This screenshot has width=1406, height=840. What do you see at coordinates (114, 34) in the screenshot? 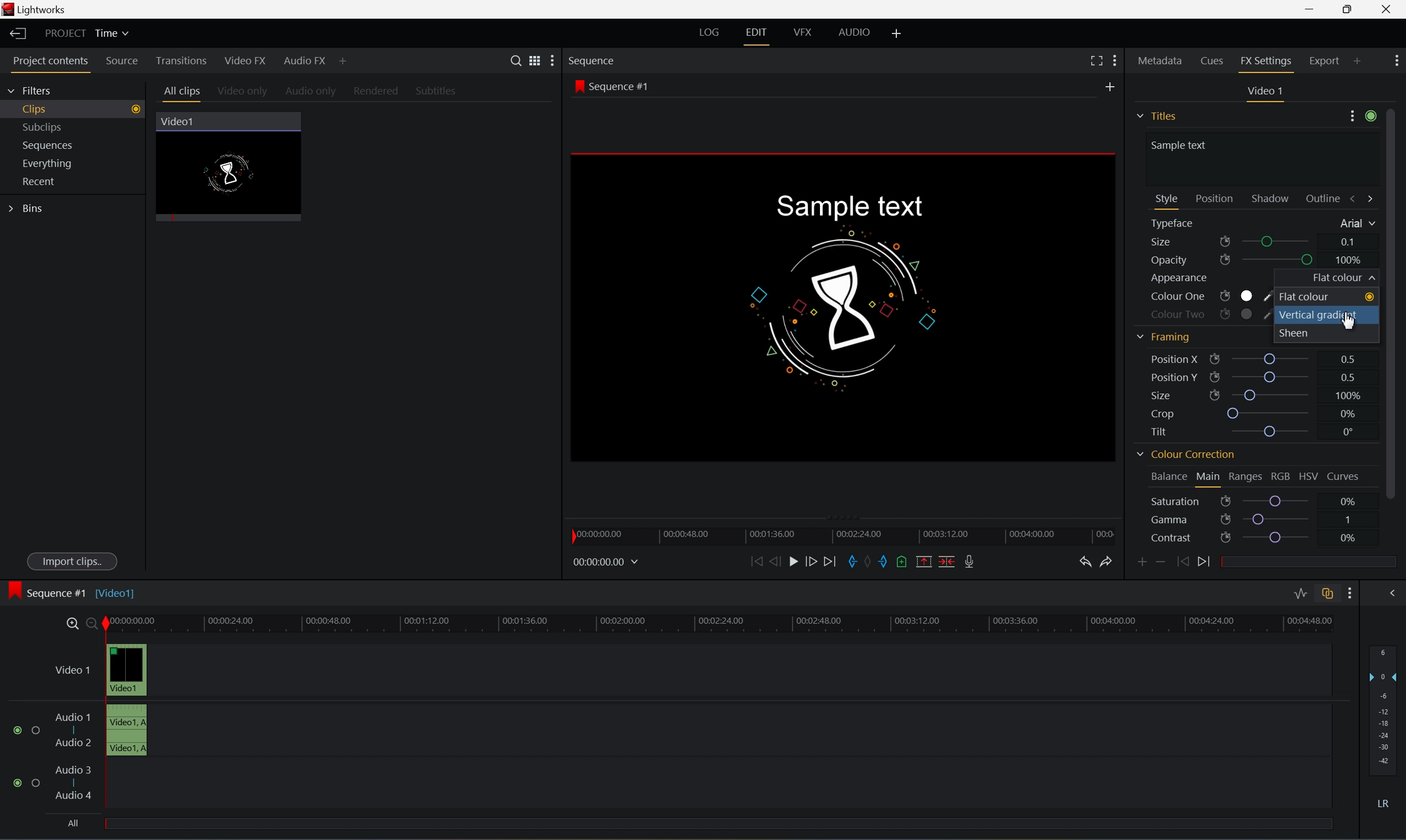
I see `Time` at bounding box center [114, 34].